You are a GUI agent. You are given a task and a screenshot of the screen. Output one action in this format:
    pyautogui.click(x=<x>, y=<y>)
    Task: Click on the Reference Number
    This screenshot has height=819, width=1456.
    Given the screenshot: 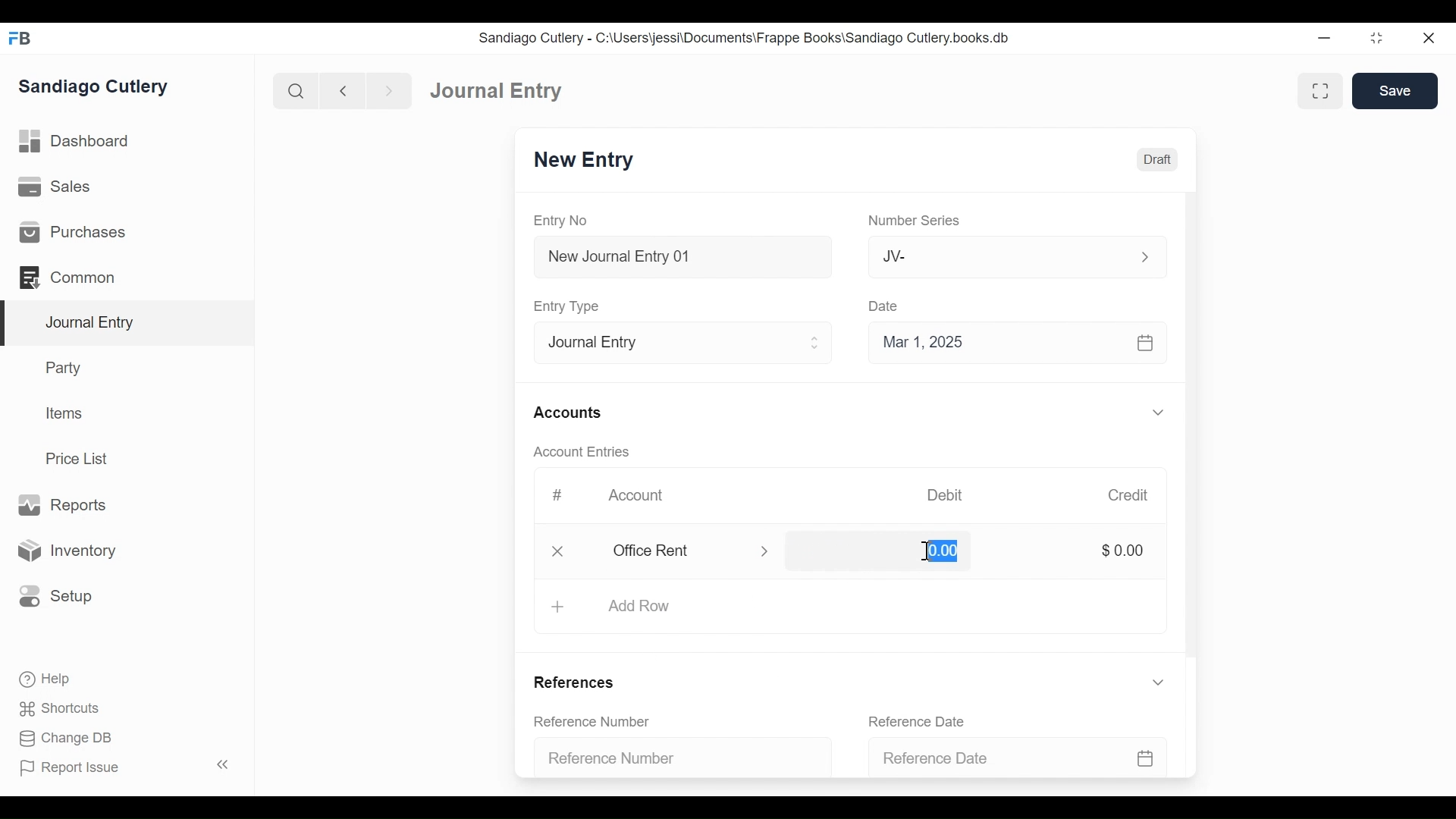 What is the action you would take?
    pyautogui.click(x=595, y=720)
    